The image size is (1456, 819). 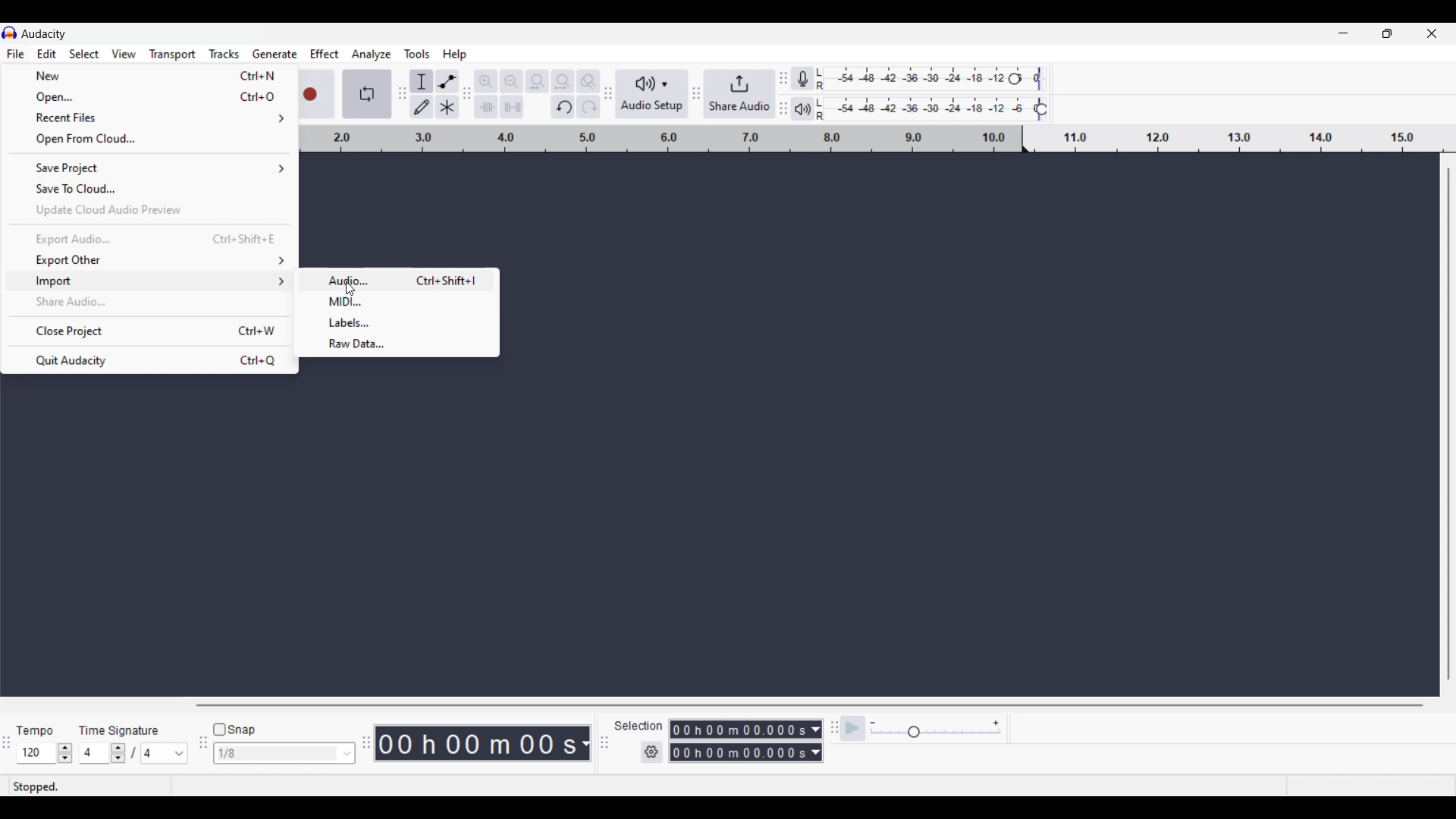 I want to click on tools tool bar, so click(x=400, y=93).